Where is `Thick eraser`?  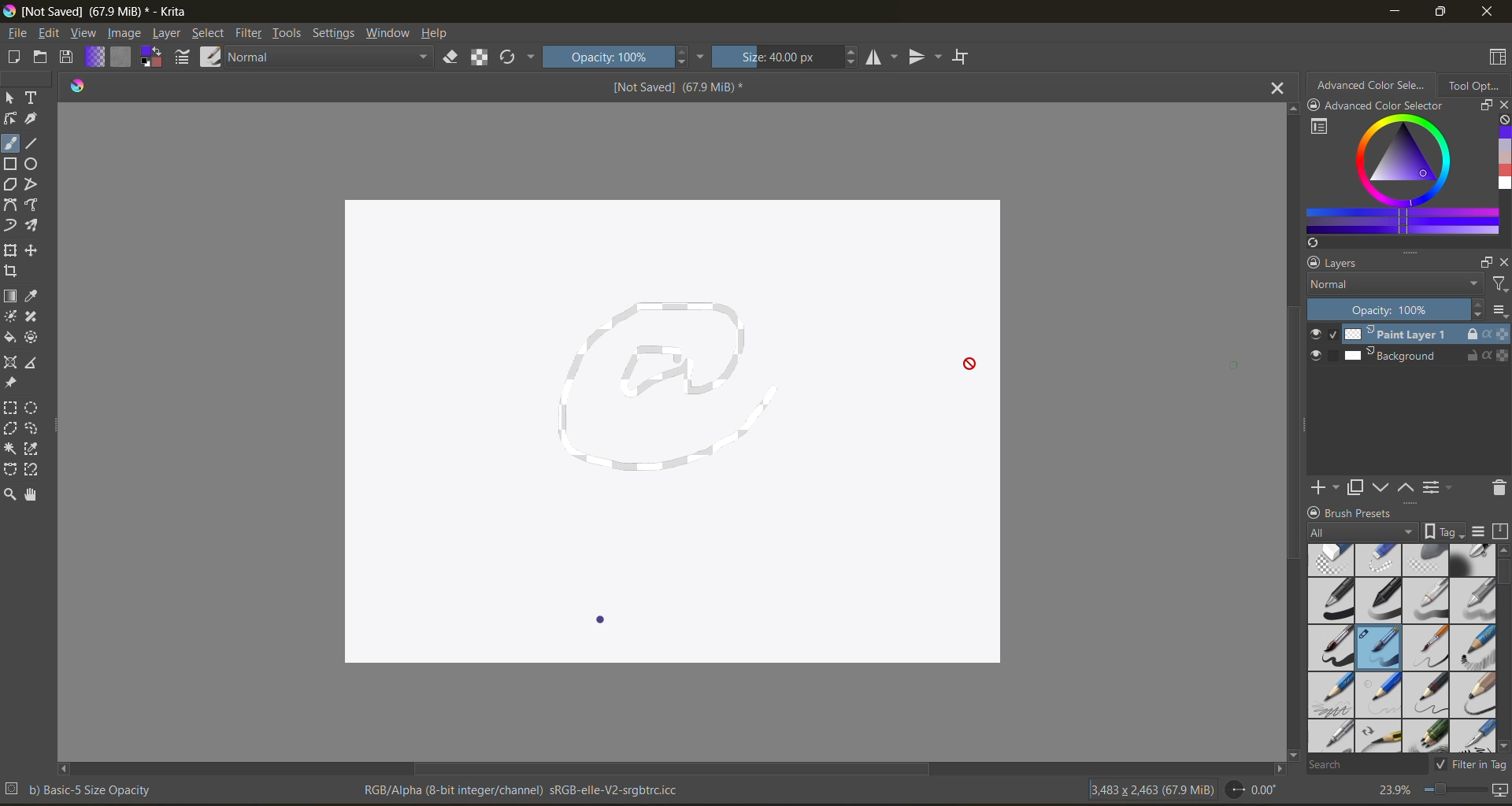 Thick eraser is located at coordinates (1330, 560).